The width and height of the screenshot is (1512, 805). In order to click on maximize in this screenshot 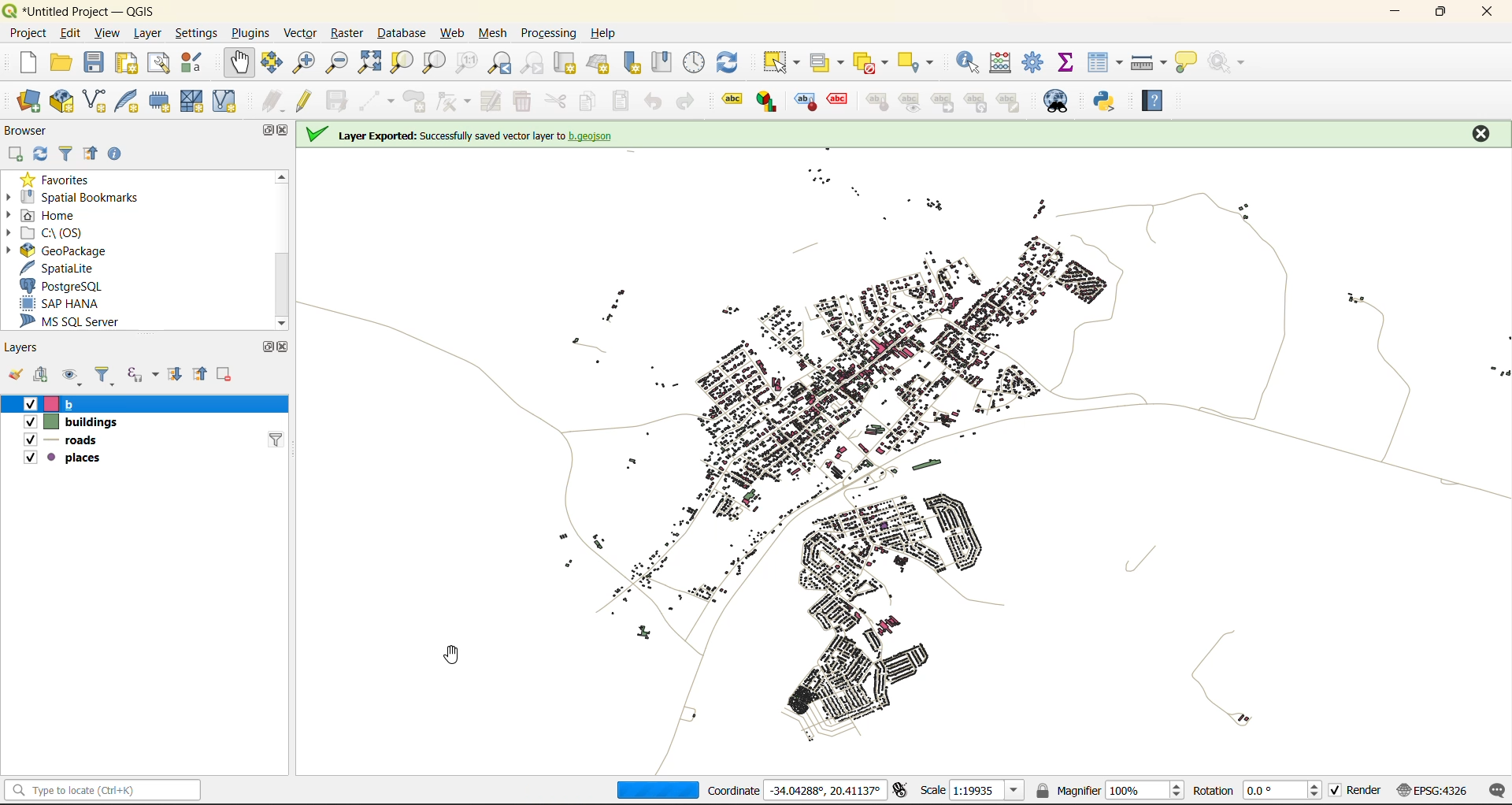, I will do `click(264, 350)`.